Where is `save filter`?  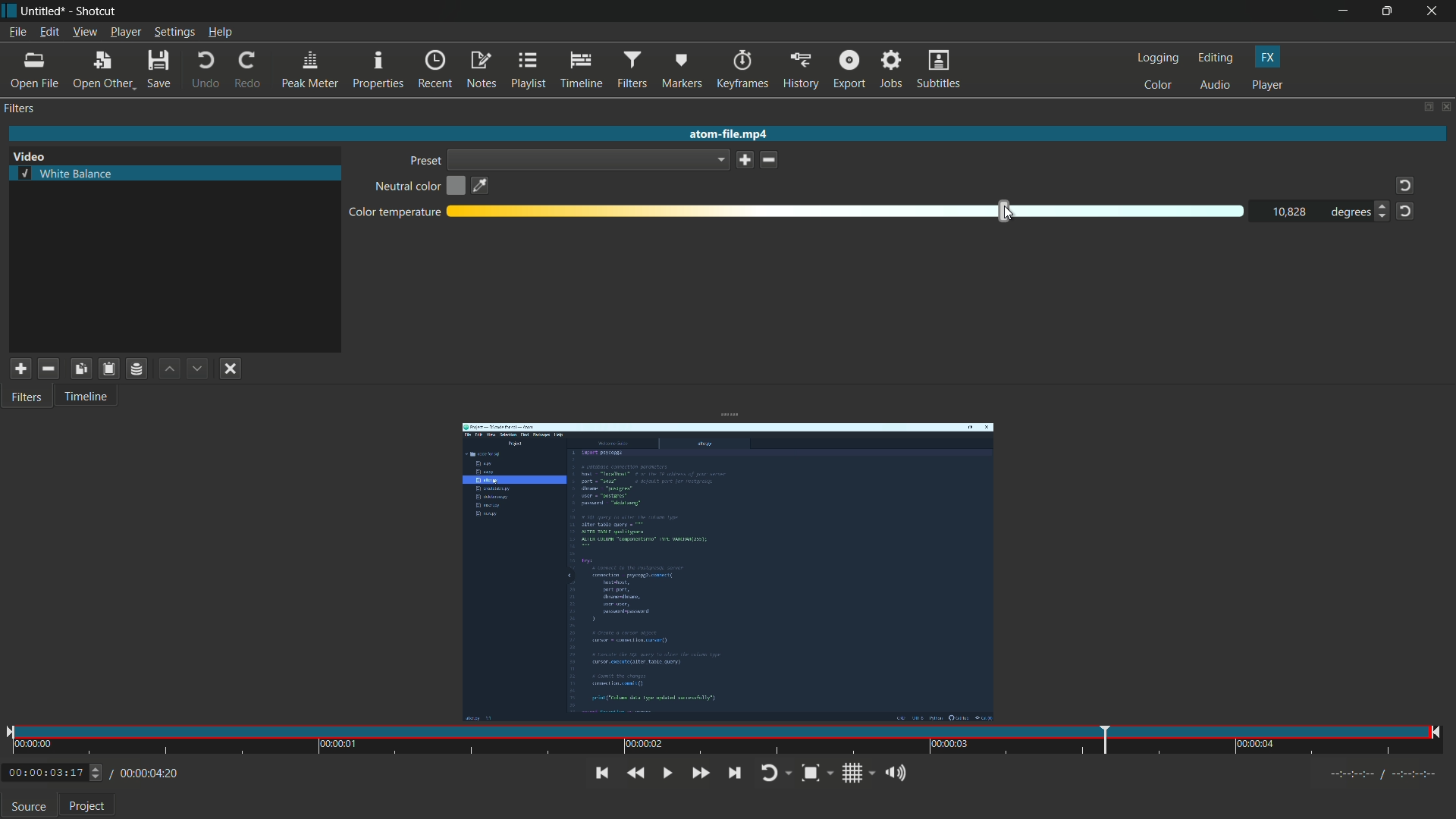
save filter is located at coordinates (108, 369).